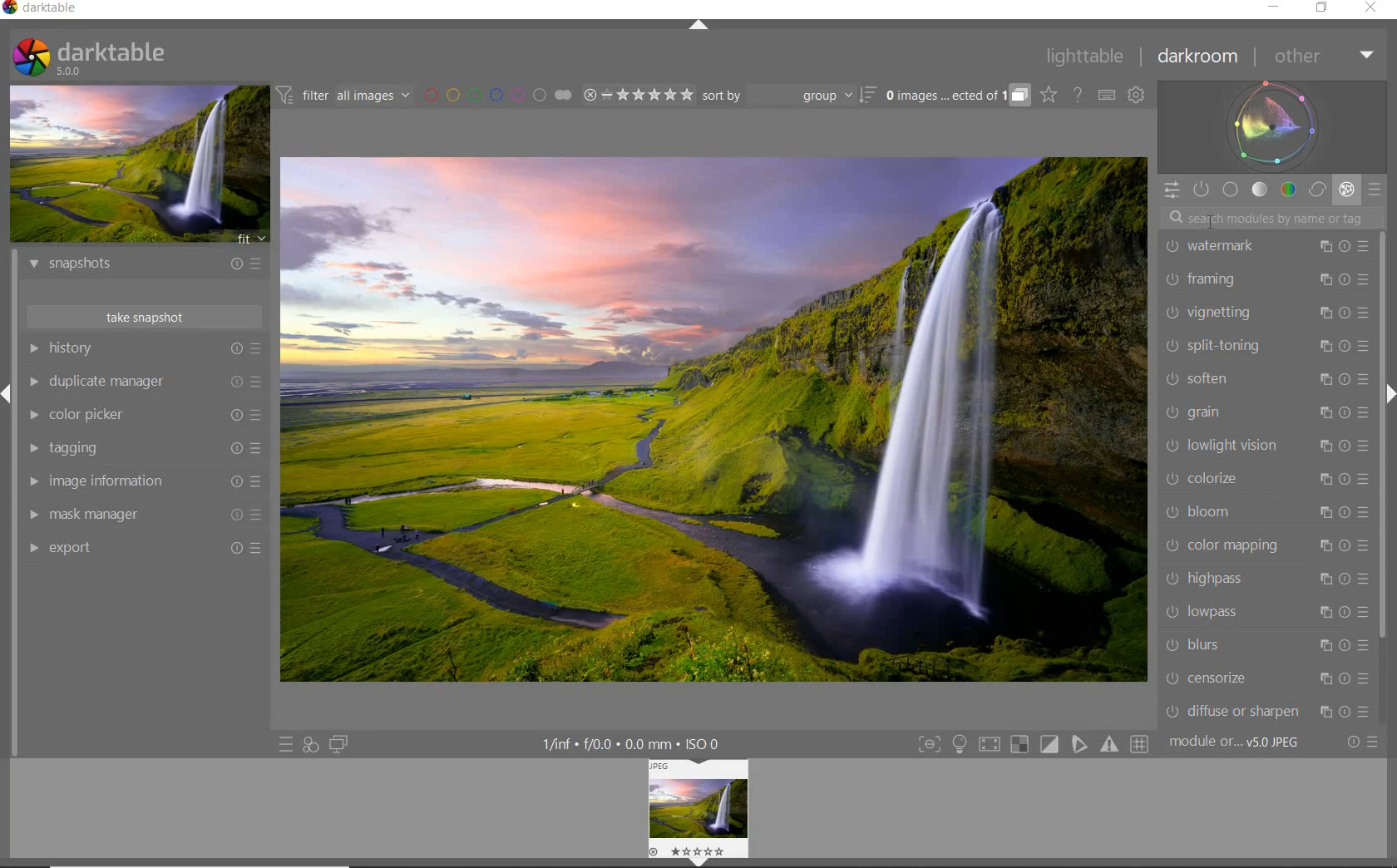 Image resolution: width=1397 pixels, height=868 pixels. What do you see at coordinates (1266, 513) in the screenshot?
I see `bloom` at bounding box center [1266, 513].